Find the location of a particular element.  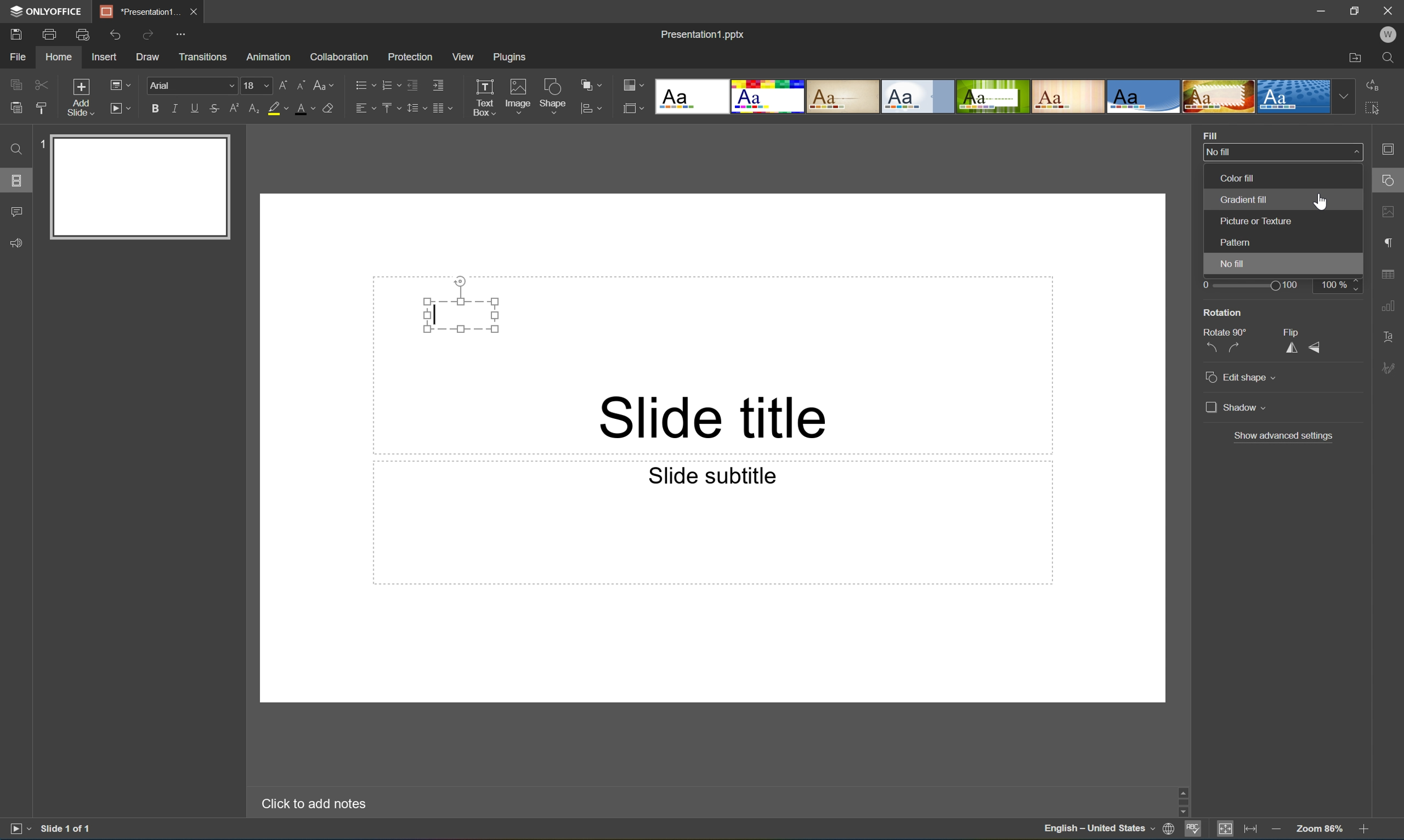

Type of slides is located at coordinates (992, 97).